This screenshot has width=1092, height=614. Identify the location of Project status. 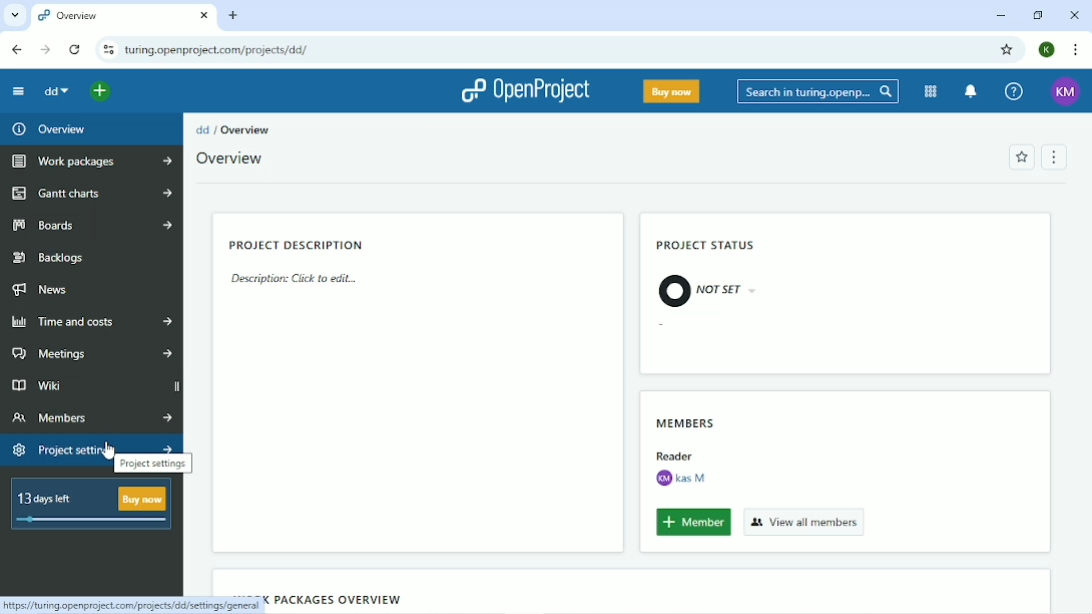
(708, 247).